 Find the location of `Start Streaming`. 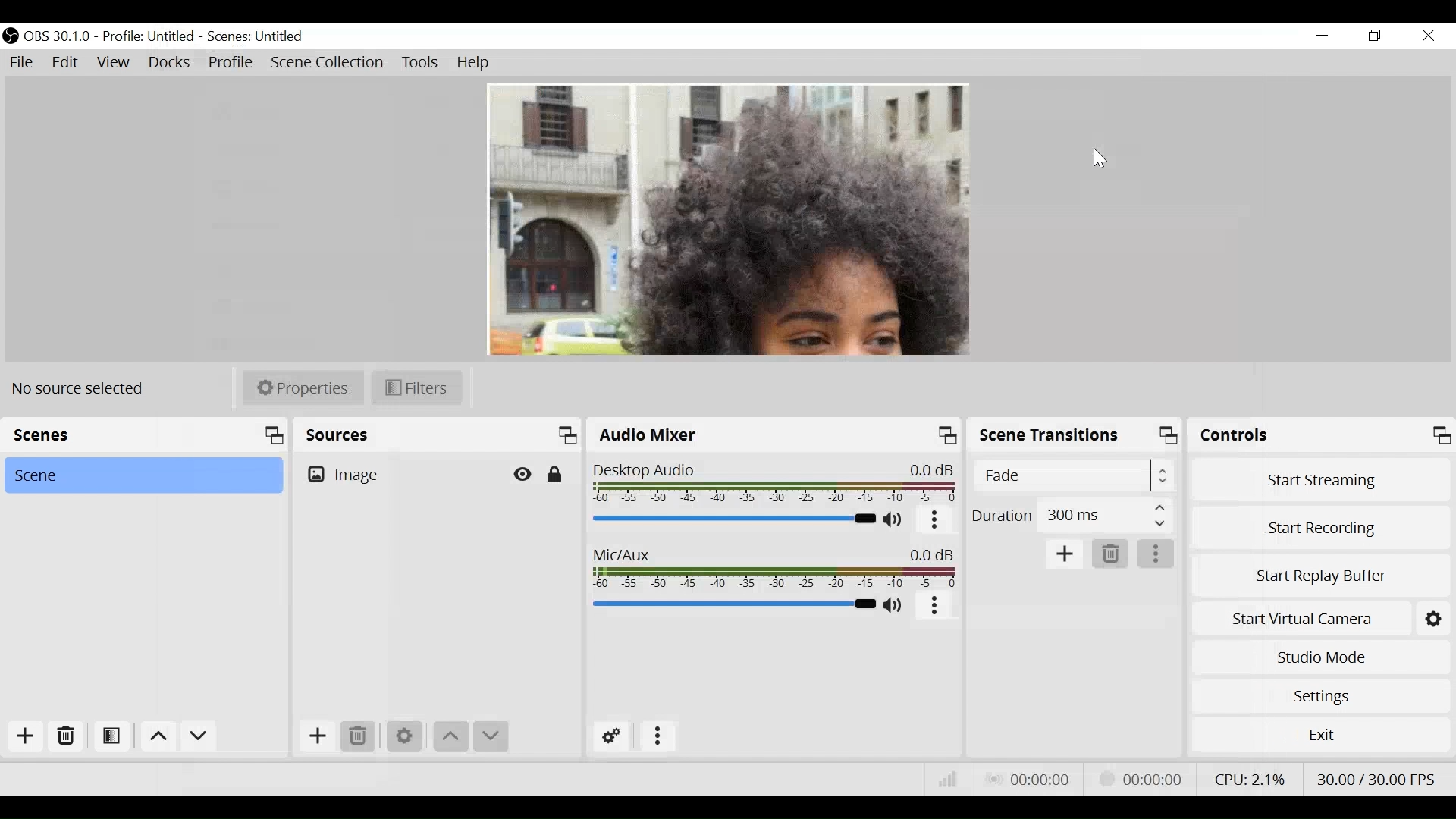

Start Streaming is located at coordinates (1322, 478).